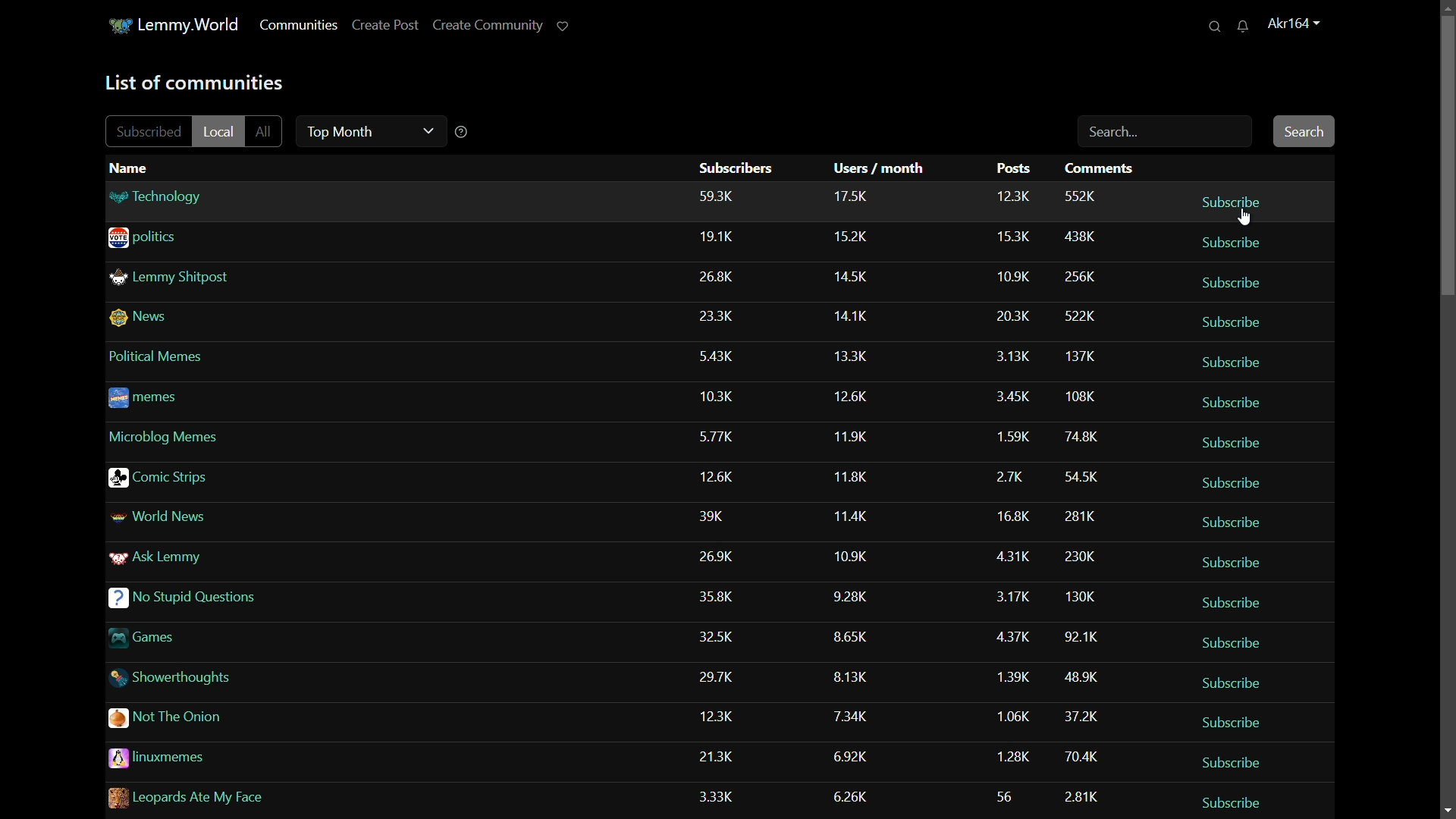  What do you see at coordinates (1078, 636) in the screenshot?
I see `` at bounding box center [1078, 636].